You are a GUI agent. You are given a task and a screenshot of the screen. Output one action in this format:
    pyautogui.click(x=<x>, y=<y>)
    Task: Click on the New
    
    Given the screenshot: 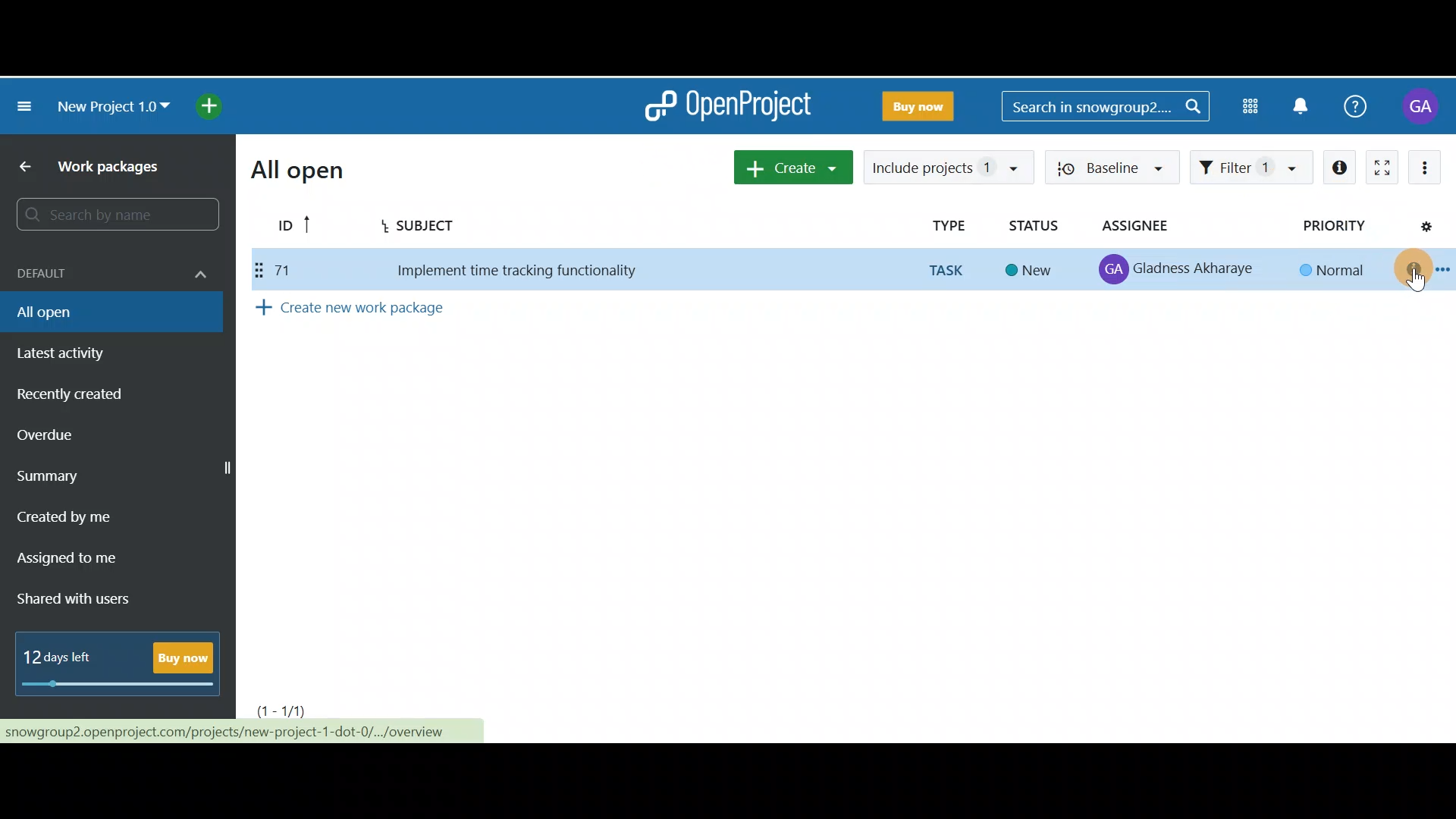 What is the action you would take?
    pyautogui.click(x=1030, y=269)
    